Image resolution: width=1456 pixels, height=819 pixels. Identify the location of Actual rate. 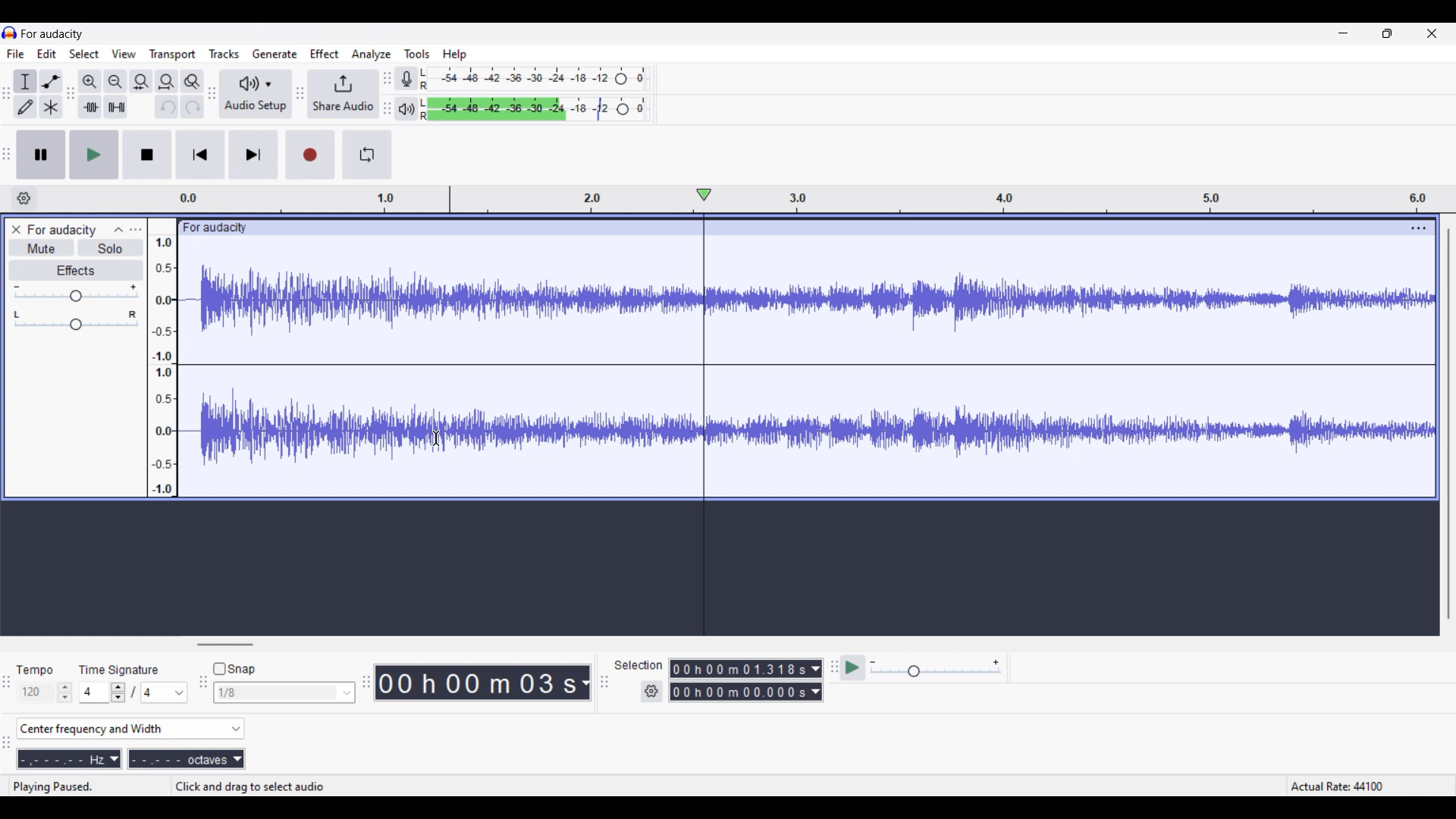
(1344, 785).